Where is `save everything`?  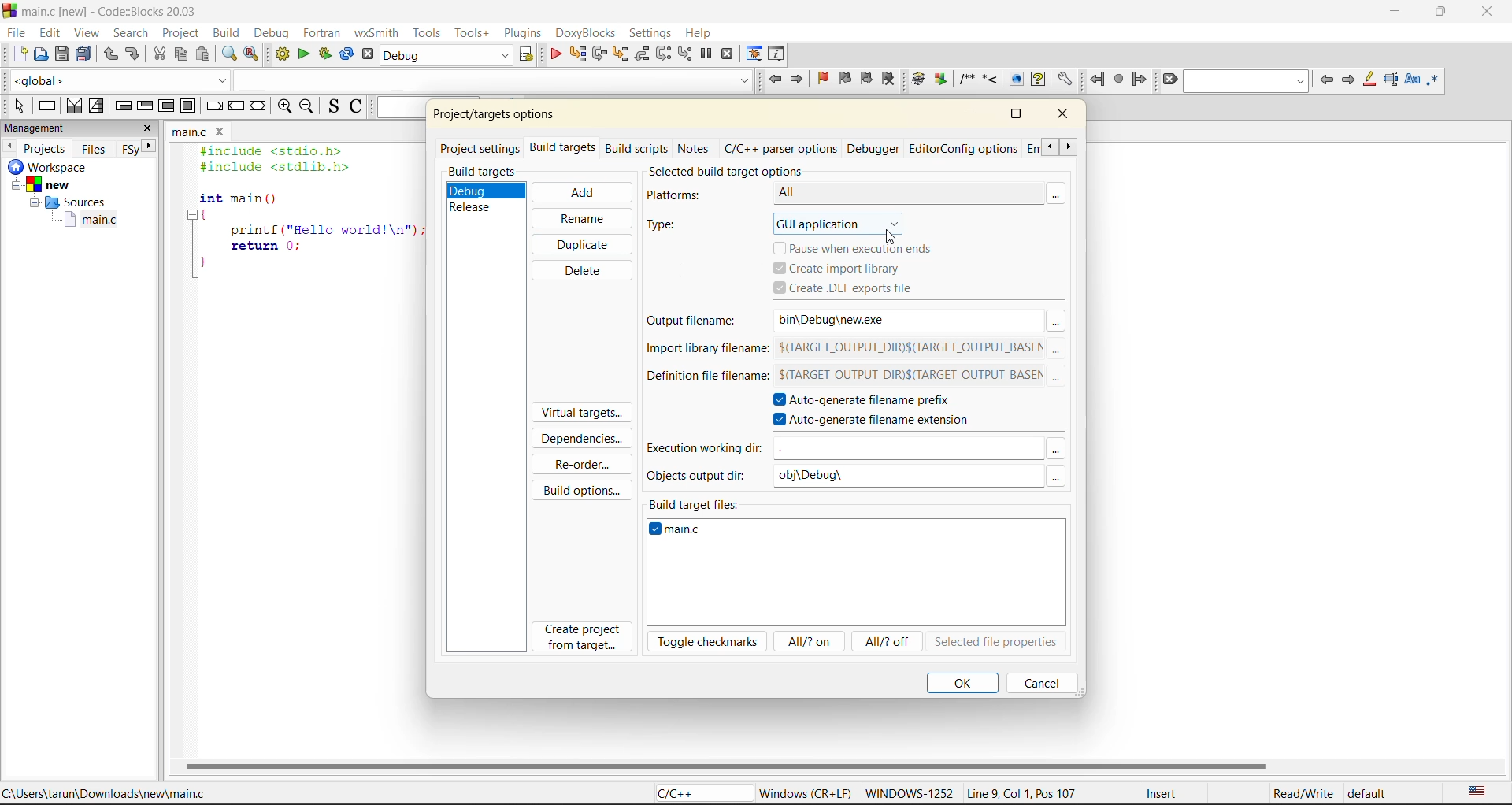
save everything is located at coordinates (85, 54).